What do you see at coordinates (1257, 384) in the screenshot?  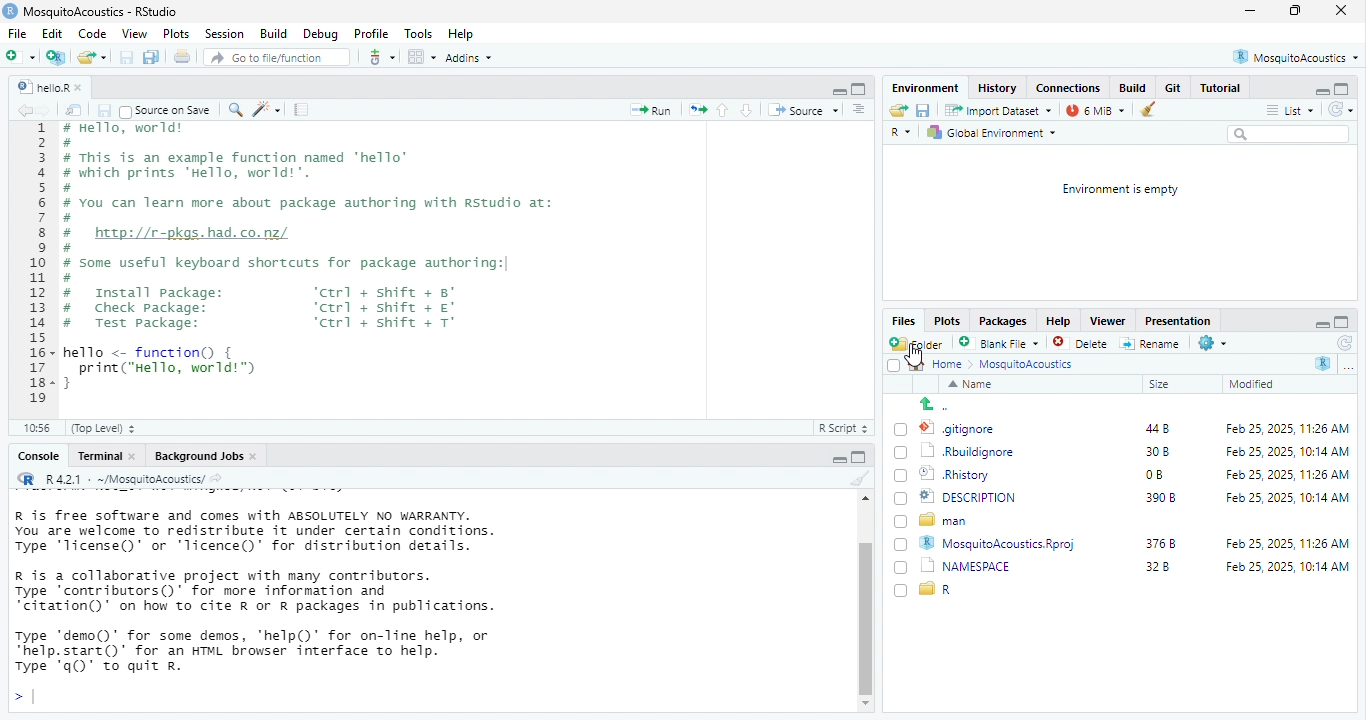 I see `modified` at bounding box center [1257, 384].